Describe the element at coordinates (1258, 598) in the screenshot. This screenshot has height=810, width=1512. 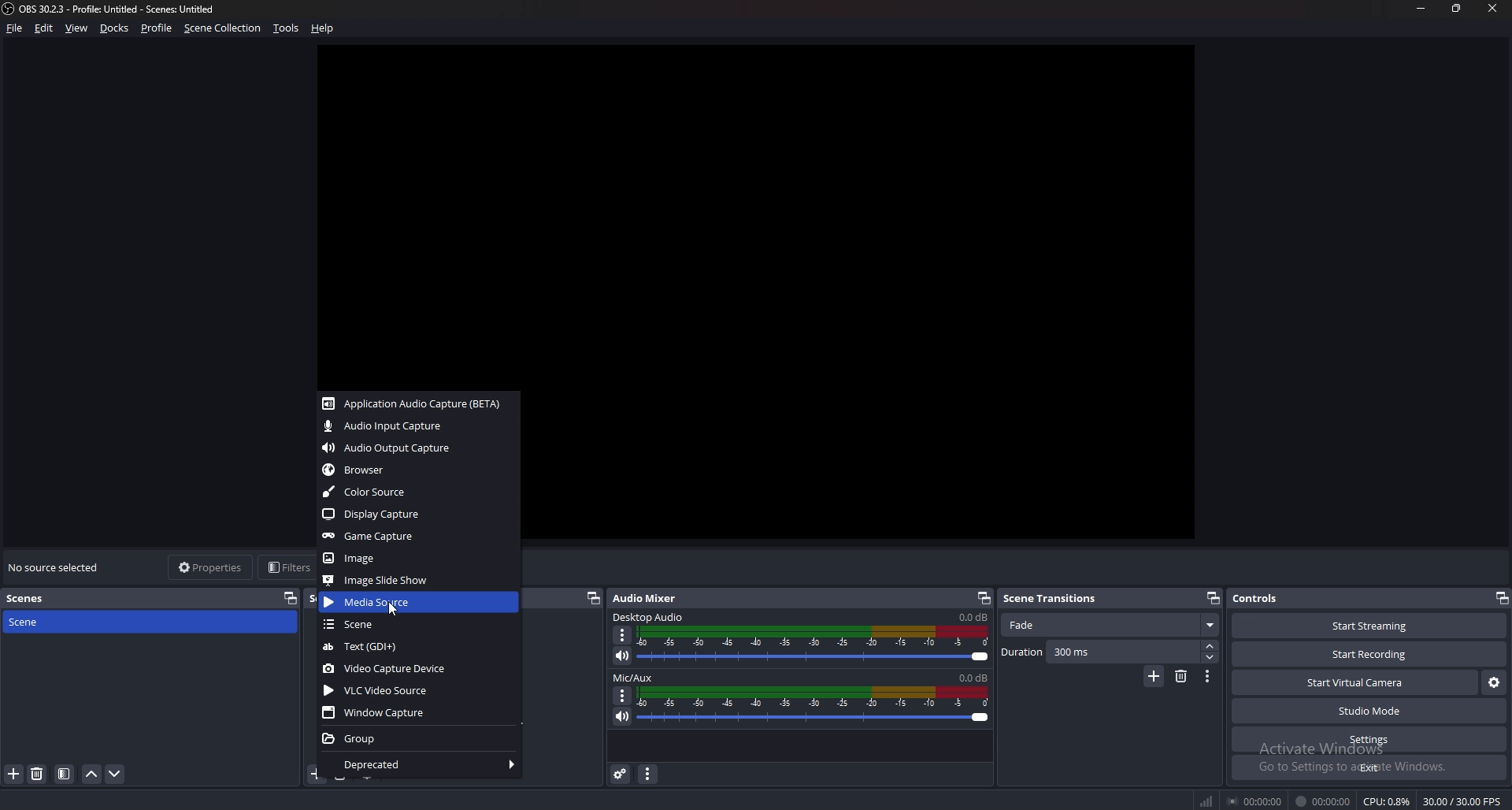
I see `Controls ` at that location.